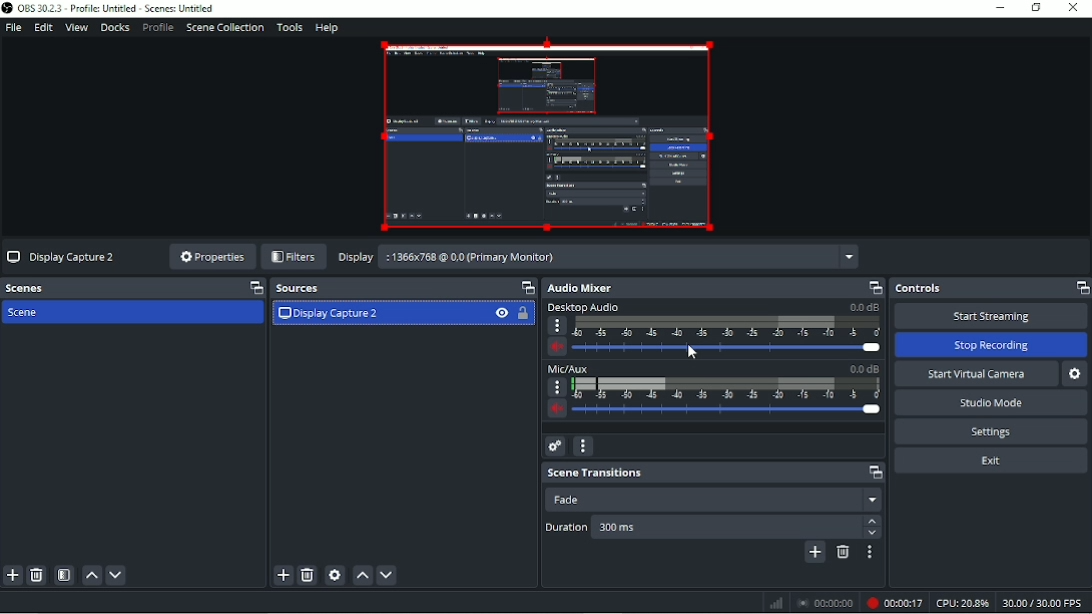  I want to click on Open scene filters, so click(64, 575).